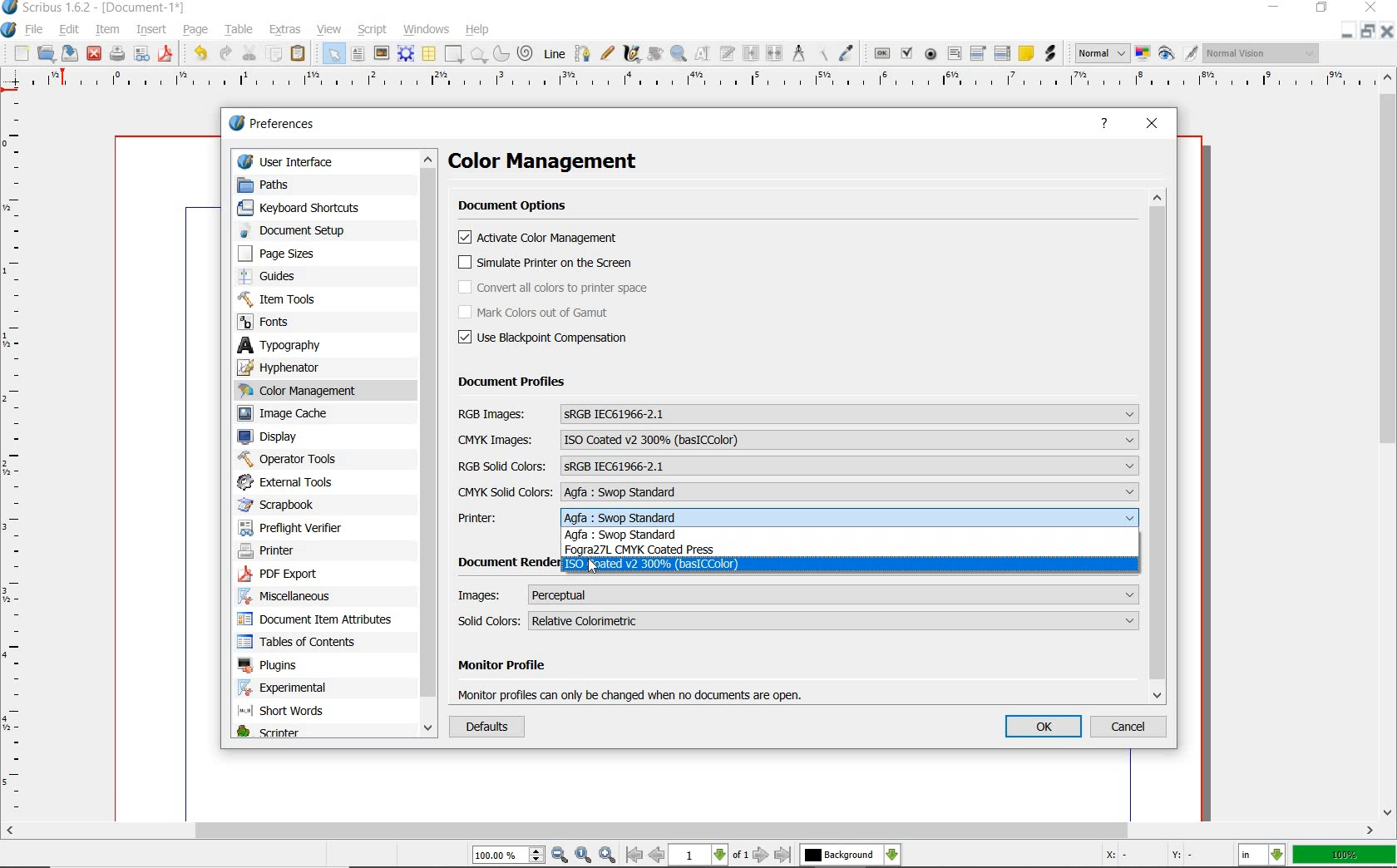  I want to click on Images, so click(798, 594).